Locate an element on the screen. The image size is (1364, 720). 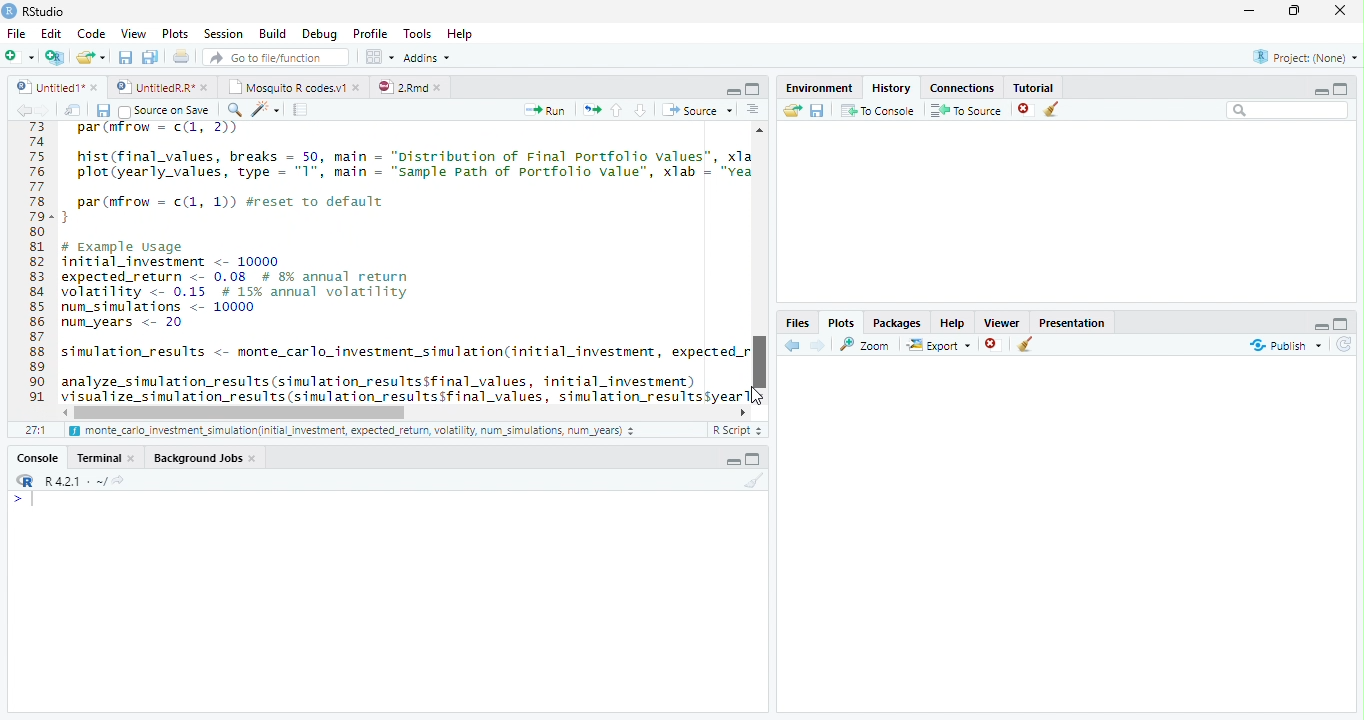
Scroll down is located at coordinates (761, 393).